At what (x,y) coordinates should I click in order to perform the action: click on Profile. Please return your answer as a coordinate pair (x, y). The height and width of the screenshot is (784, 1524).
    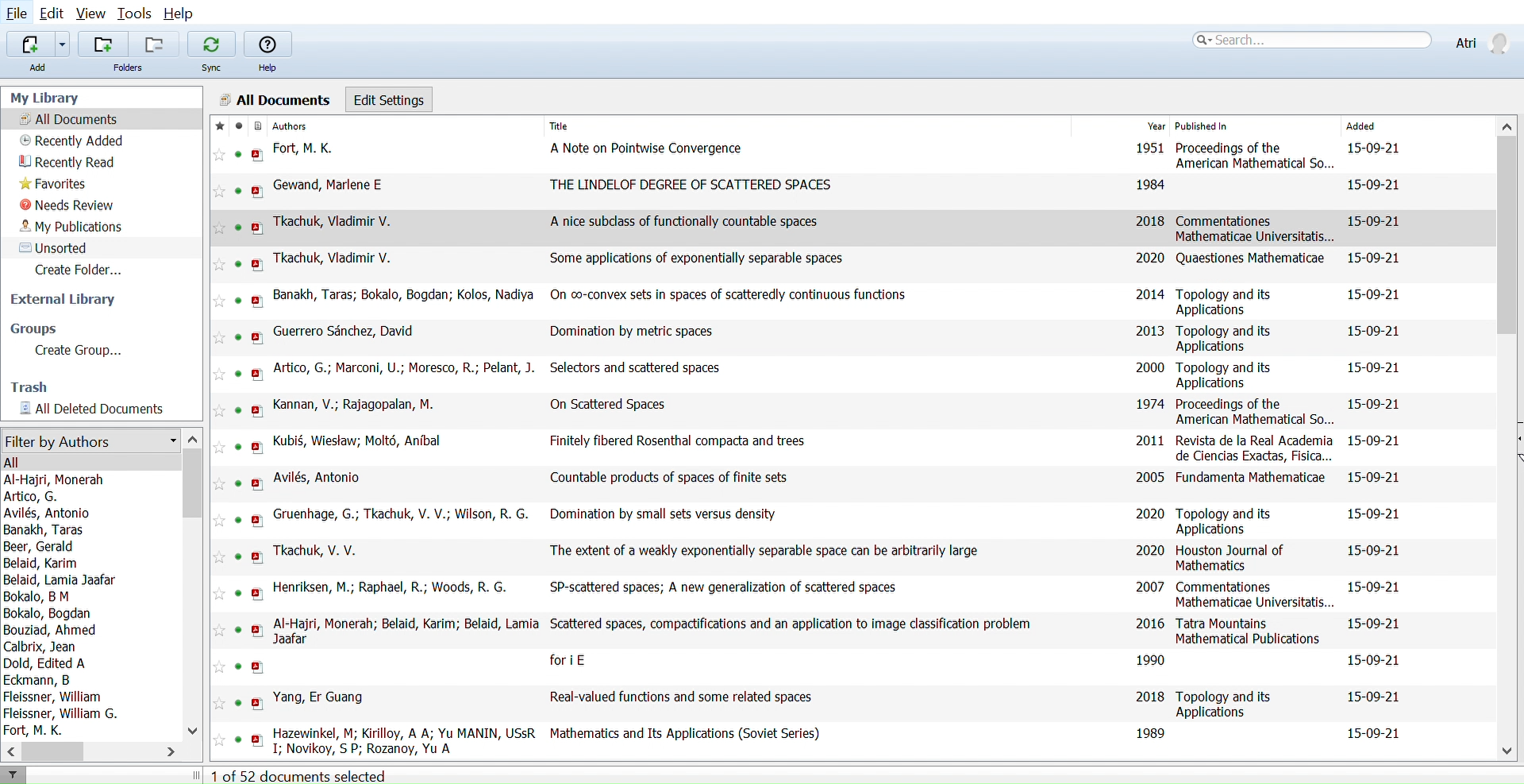
    Looking at the image, I should click on (1480, 40).